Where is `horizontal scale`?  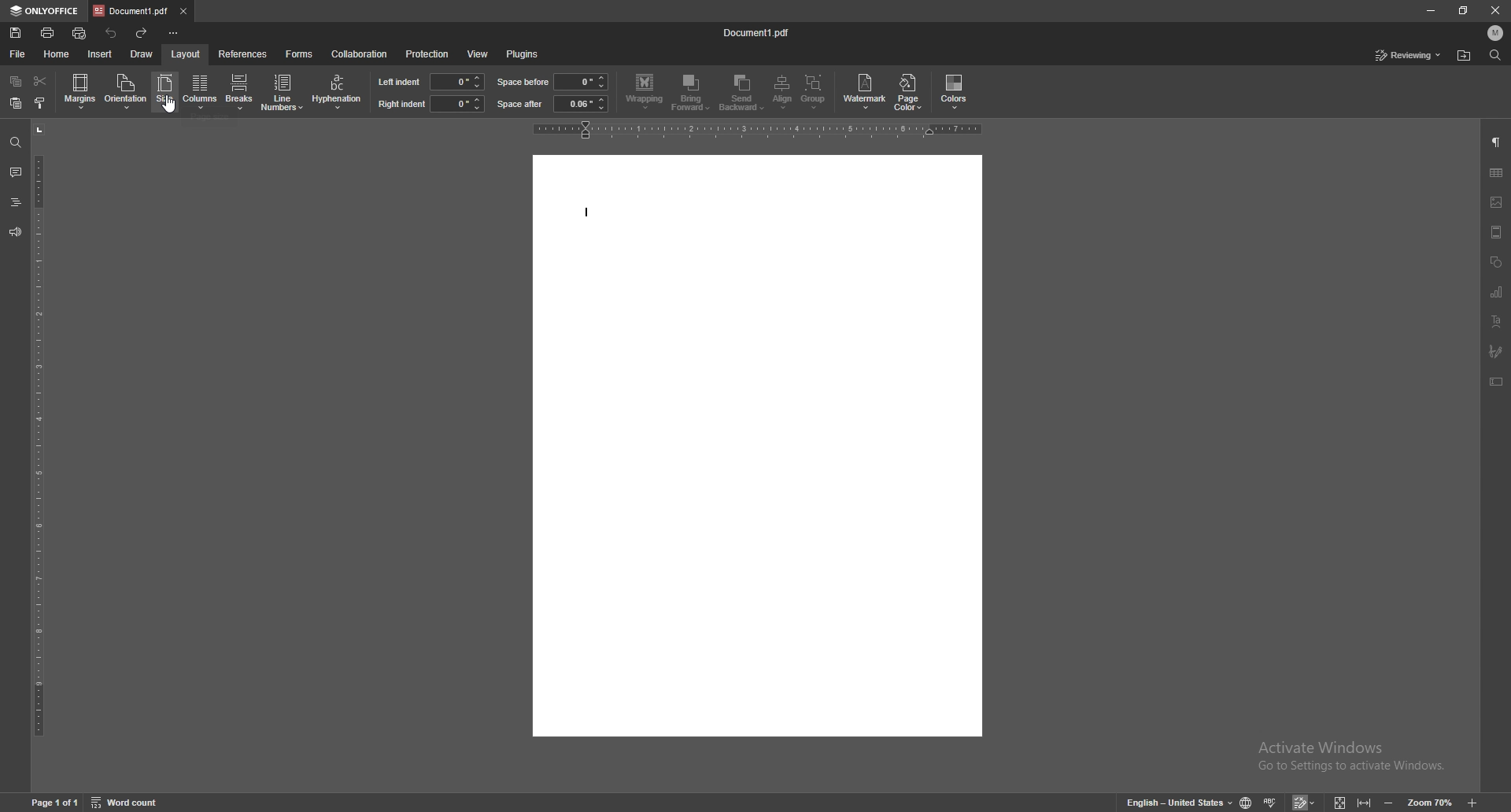 horizontal scale is located at coordinates (759, 129).